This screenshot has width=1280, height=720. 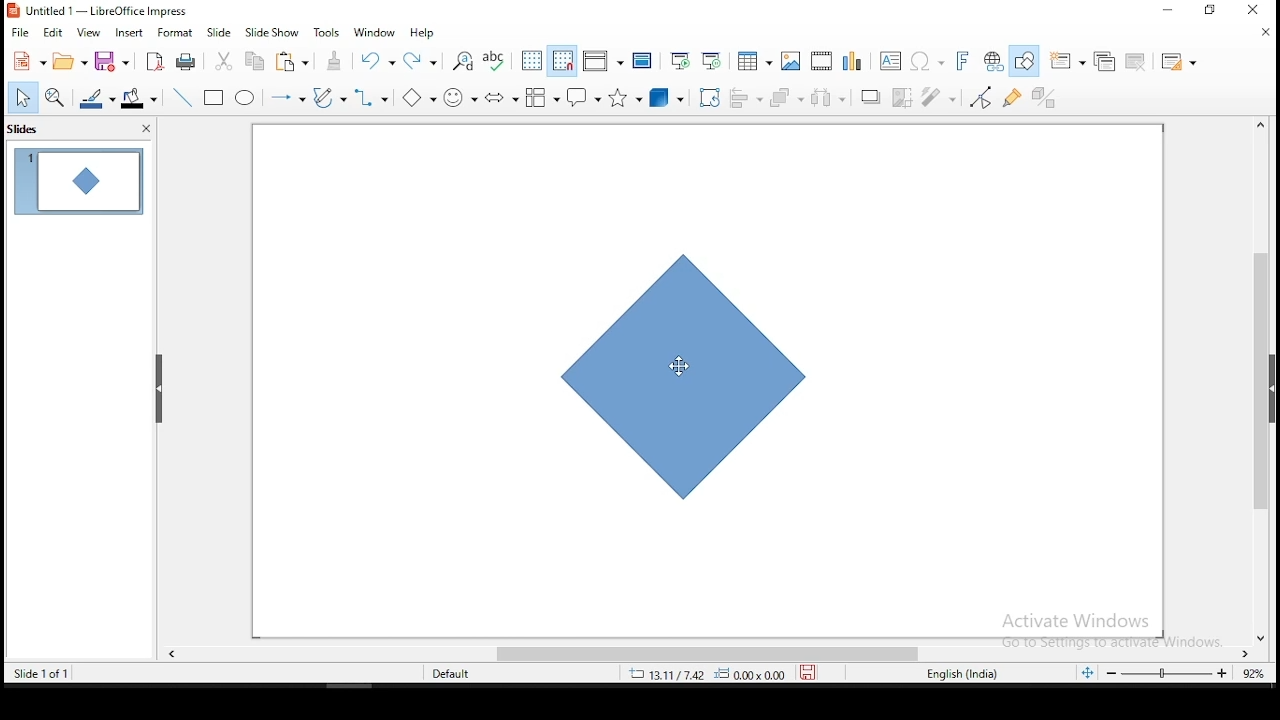 I want to click on callout shapes, so click(x=587, y=96).